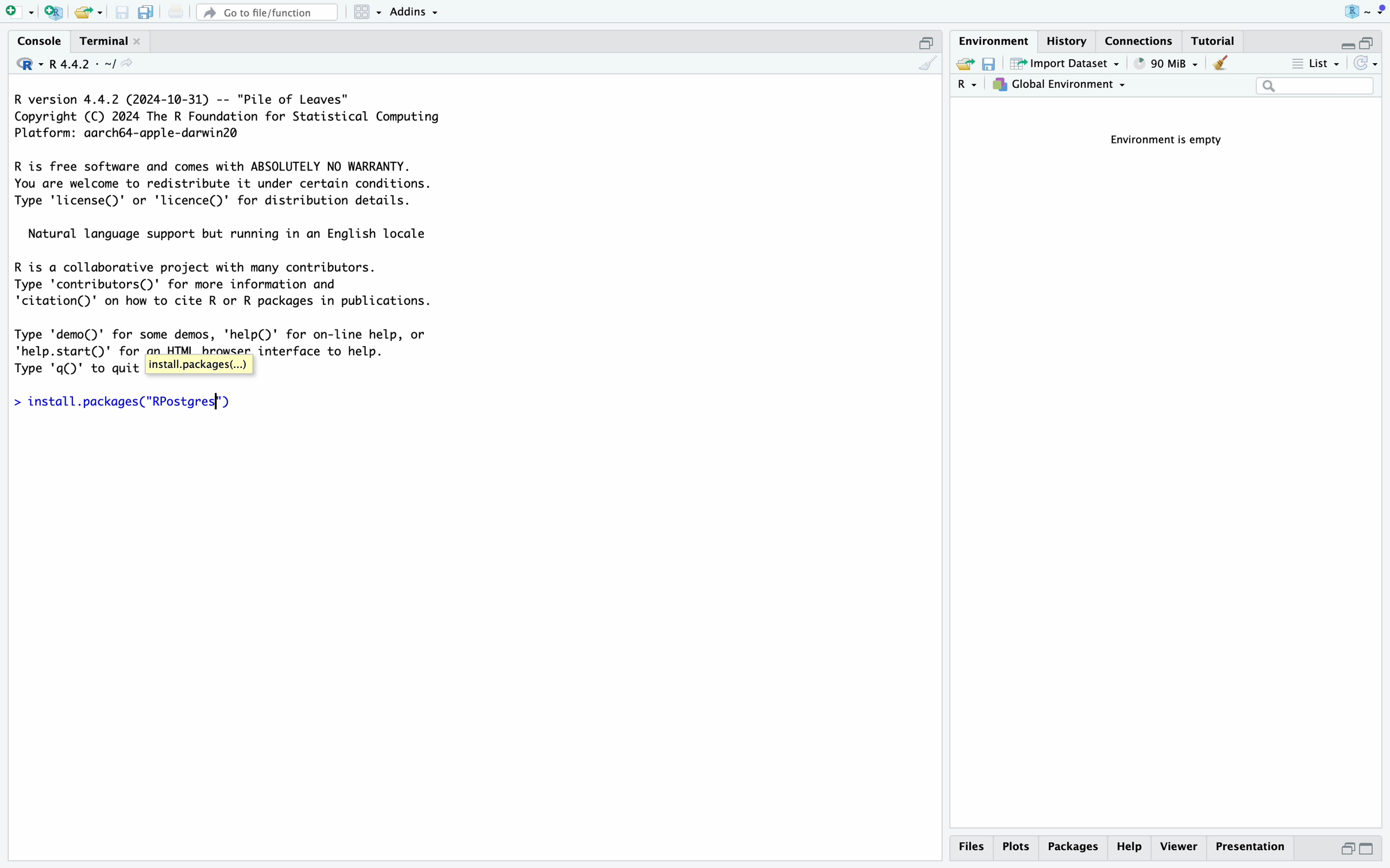 The width and height of the screenshot is (1390, 868). I want to click on prompt cursor, so click(11, 404).